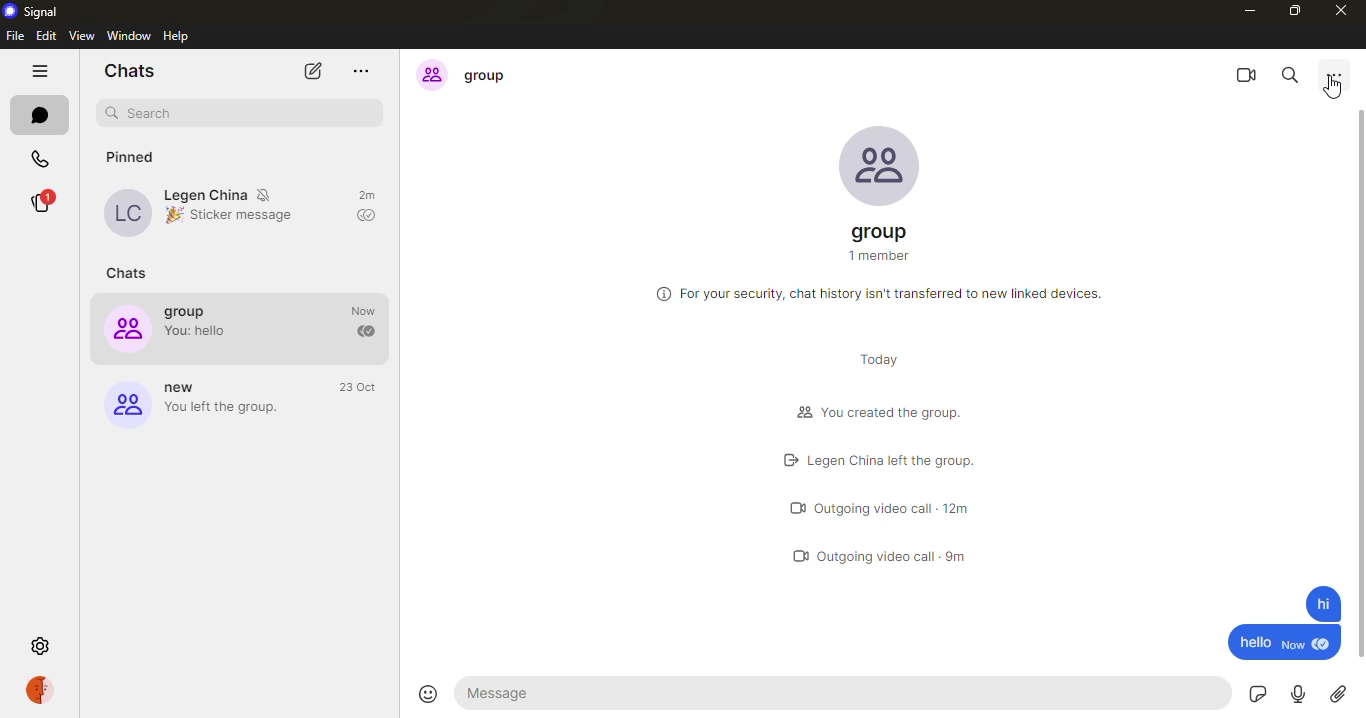  I want to click on video call logo, so click(797, 510).